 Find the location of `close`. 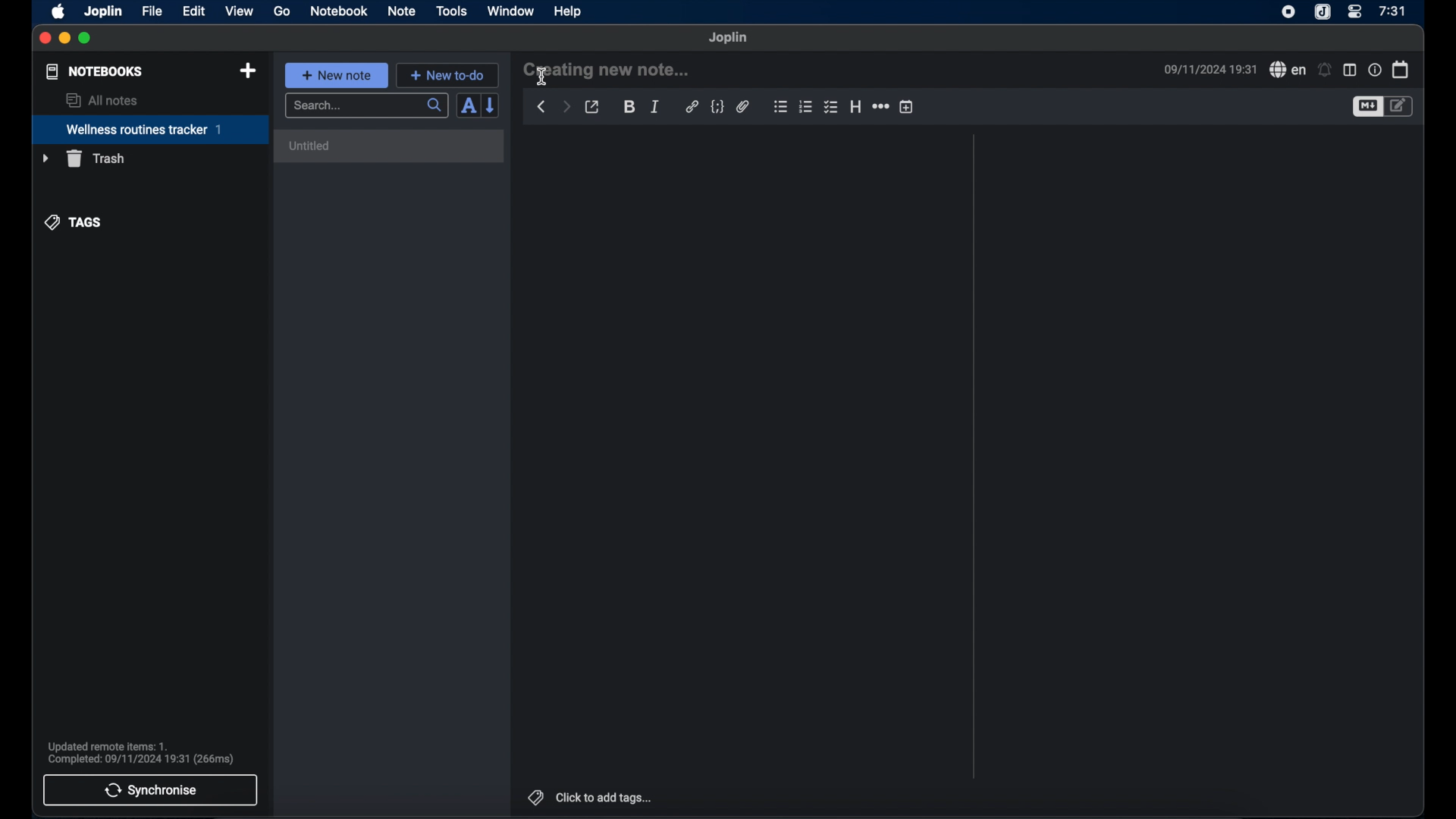

close is located at coordinates (45, 39).